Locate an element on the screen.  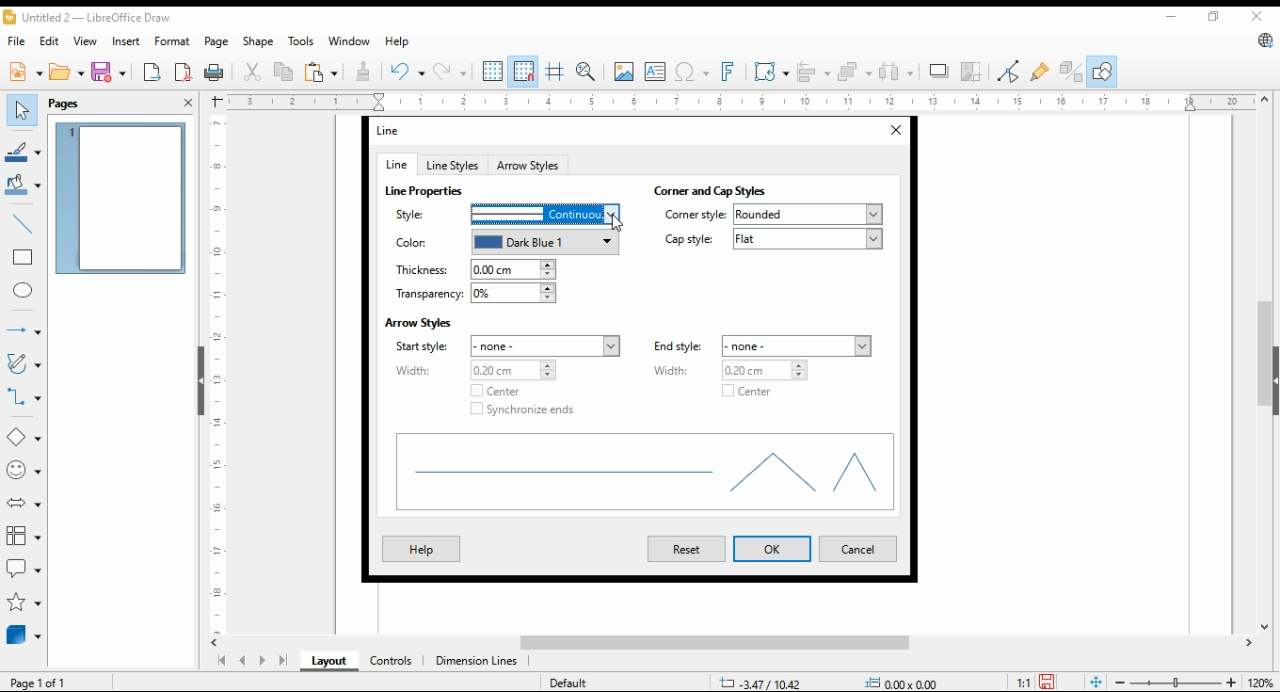
last page is located at coordinates (282, 662).